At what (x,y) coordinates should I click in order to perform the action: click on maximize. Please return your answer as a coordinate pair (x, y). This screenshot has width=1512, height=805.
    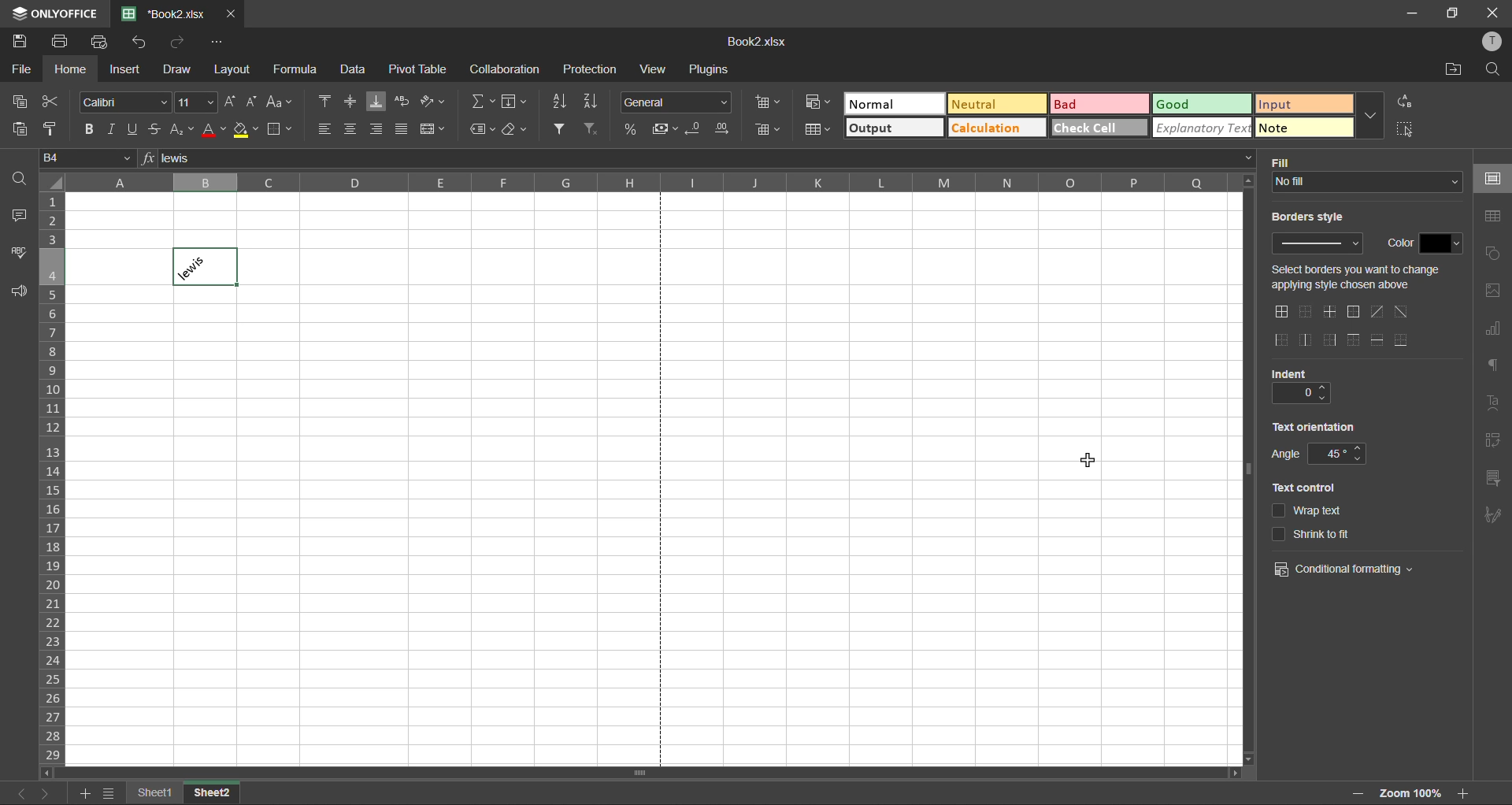
    Looking at the image, I should click on (1454, 13).